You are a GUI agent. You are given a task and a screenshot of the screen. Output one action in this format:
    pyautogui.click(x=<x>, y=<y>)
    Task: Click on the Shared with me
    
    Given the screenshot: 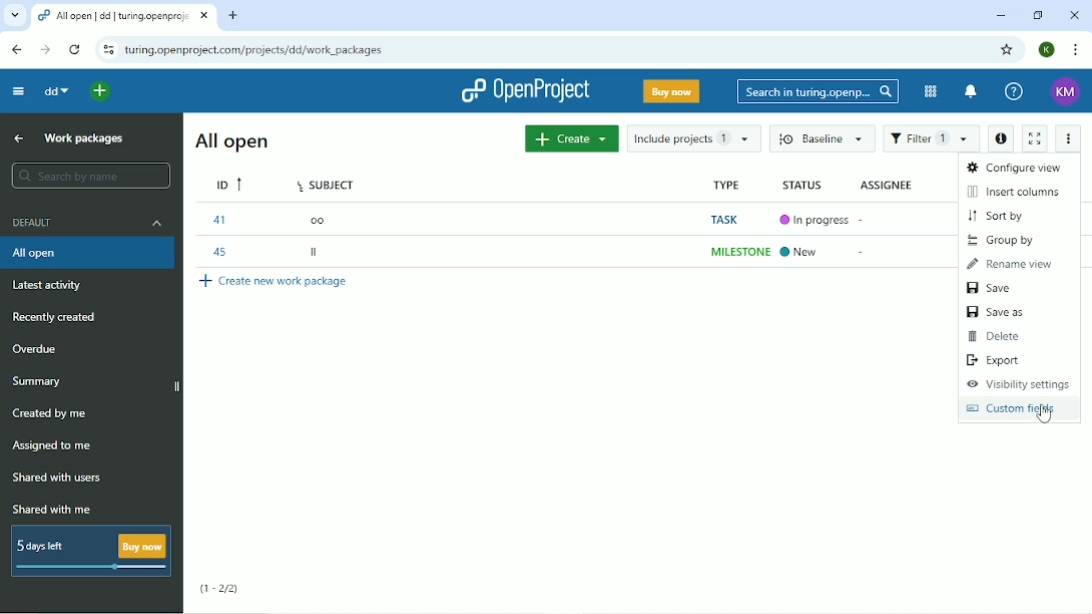 What is the action you would take?
    pyautogui.click(x=53, y=509)
    